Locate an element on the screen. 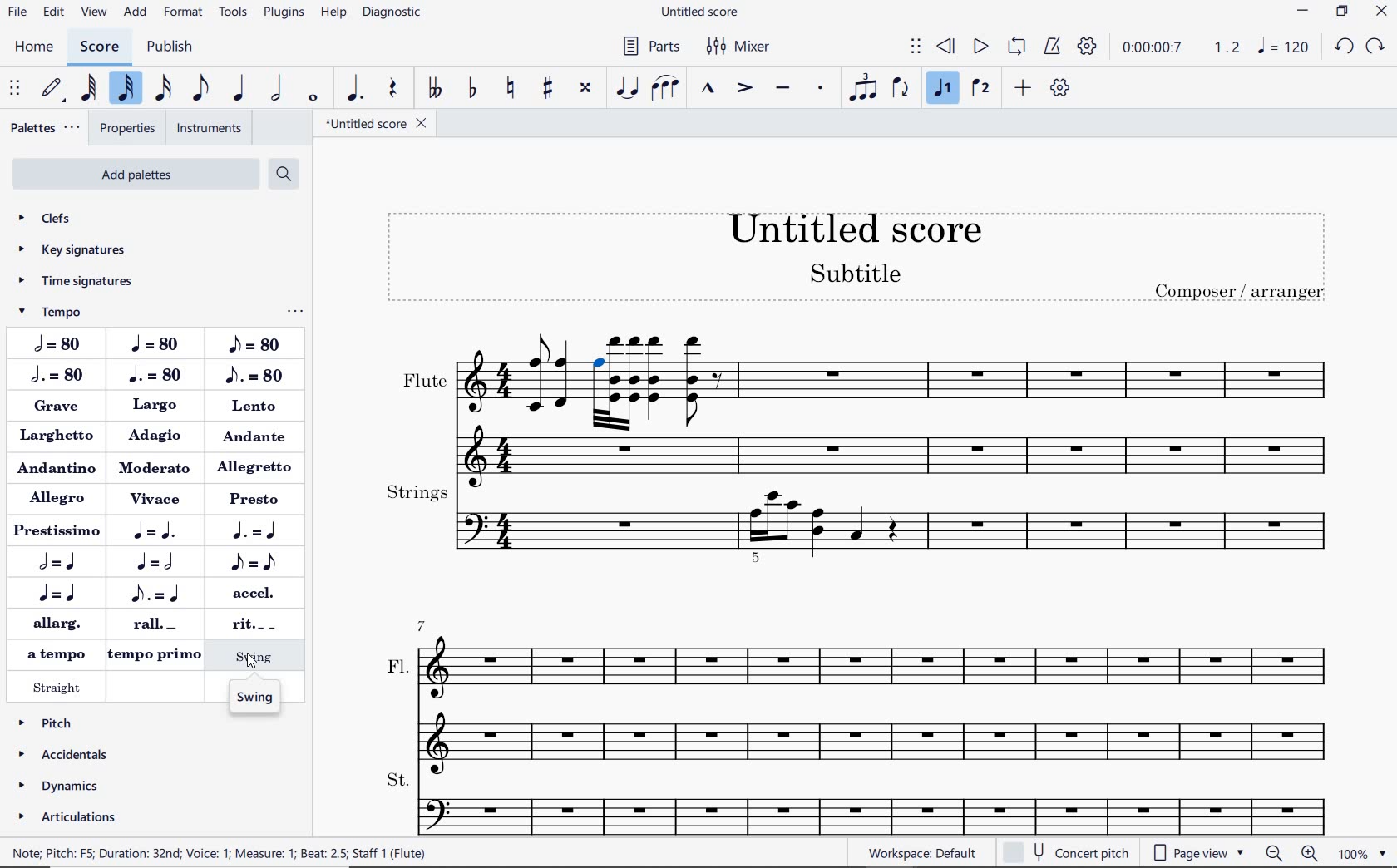 The height and width of the screenshot is (868, 1397). concert pitch is located at coordinates (1066, 853).